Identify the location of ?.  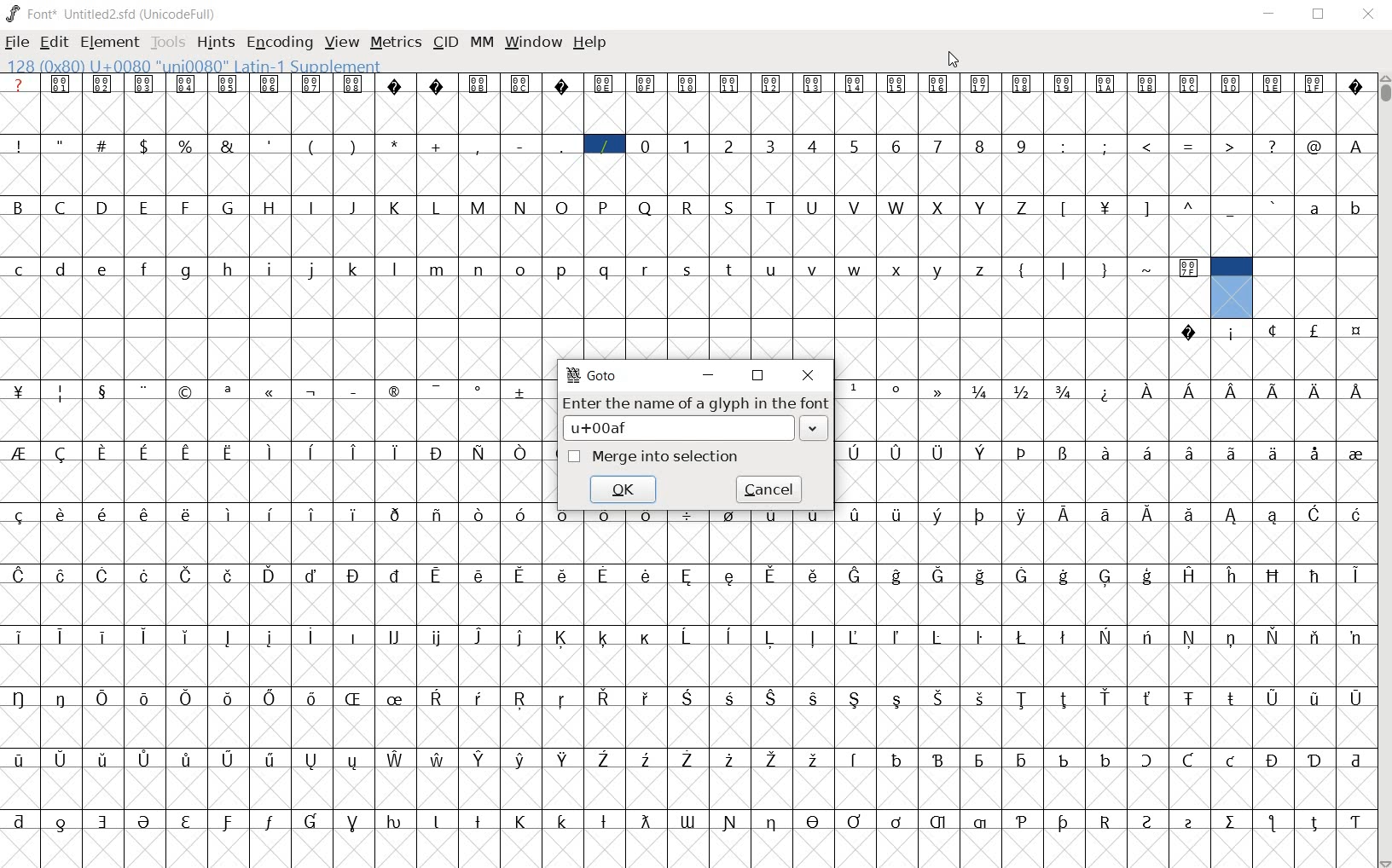
(1271, 144).